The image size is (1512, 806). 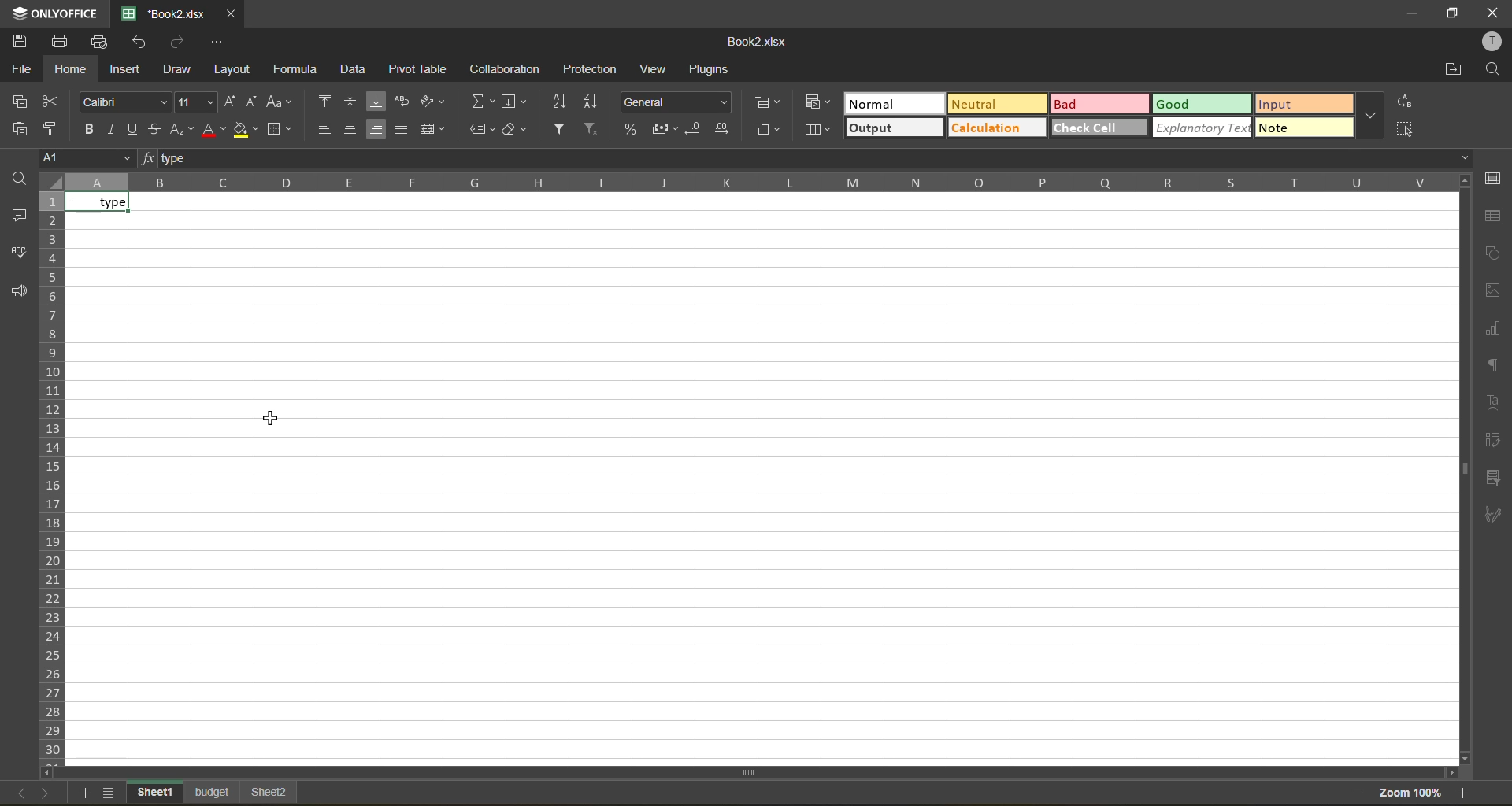 What do you see at coordinates (820, 104) in the screenshot?
I see `conditional formatting` at bounding box center [820, 104].